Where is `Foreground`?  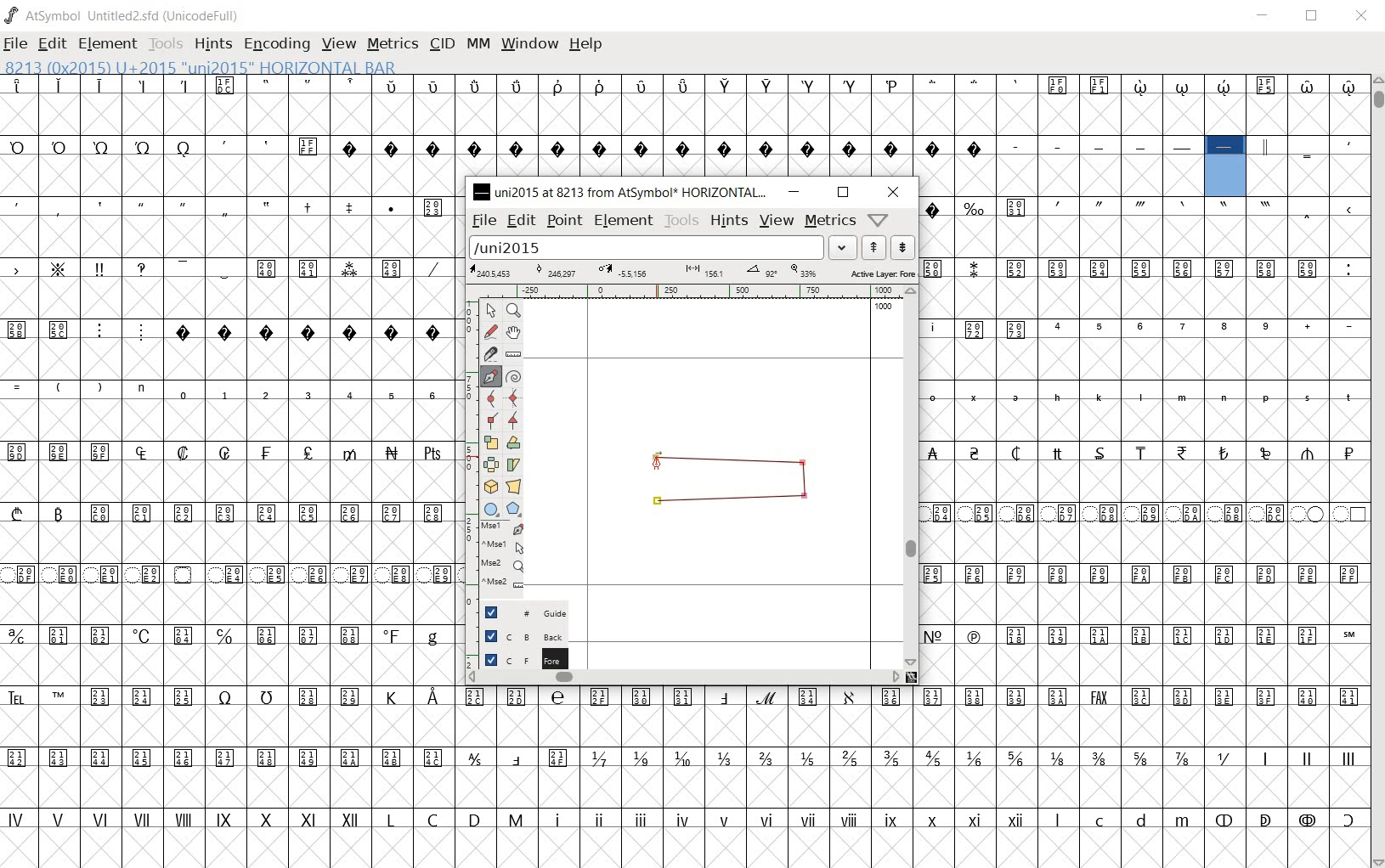 Foreground is located at coordinates (516, 658).